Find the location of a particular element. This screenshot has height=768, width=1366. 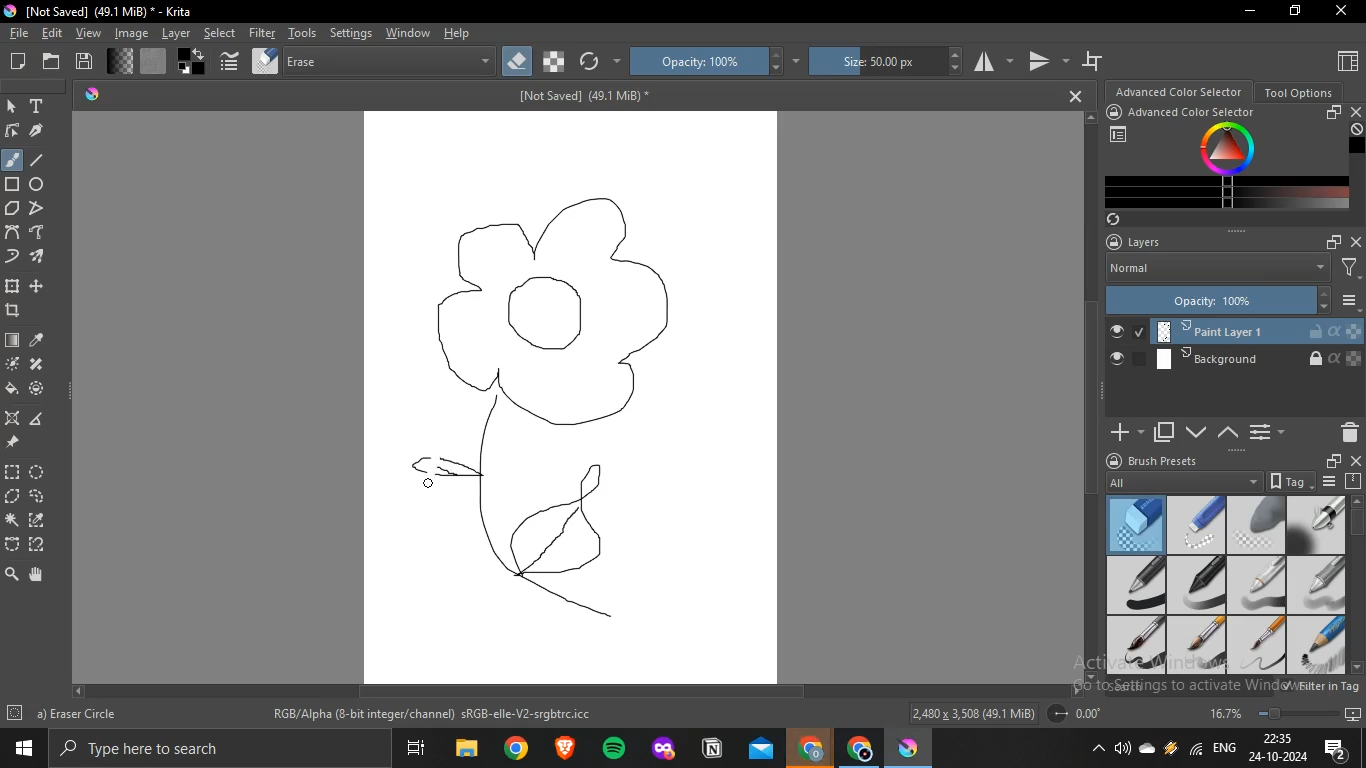

view is located at coordinates (87, 34).